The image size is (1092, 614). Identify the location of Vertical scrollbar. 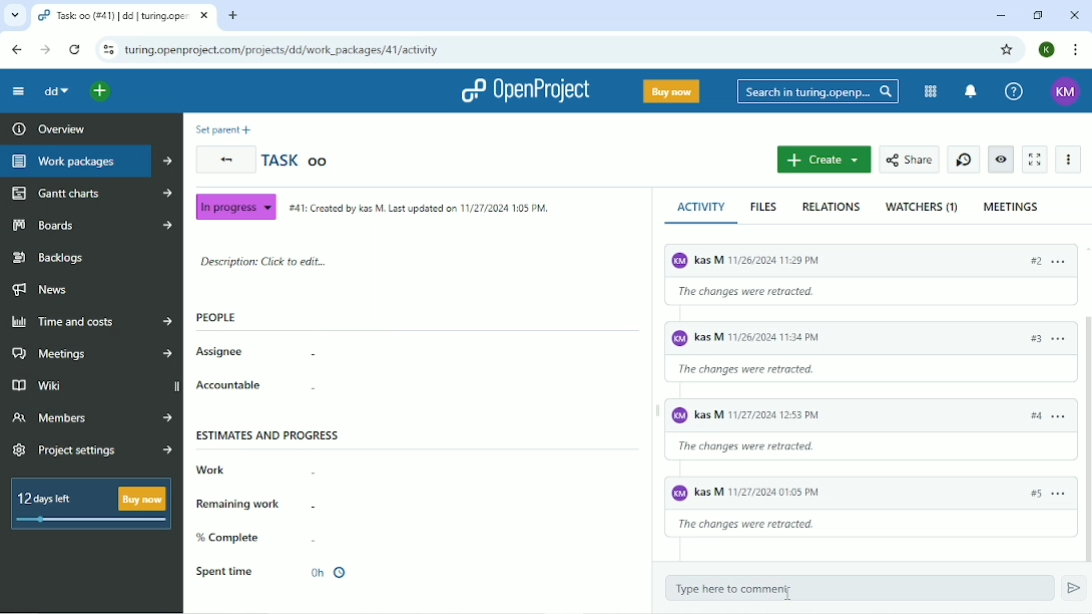
(1085, 435).